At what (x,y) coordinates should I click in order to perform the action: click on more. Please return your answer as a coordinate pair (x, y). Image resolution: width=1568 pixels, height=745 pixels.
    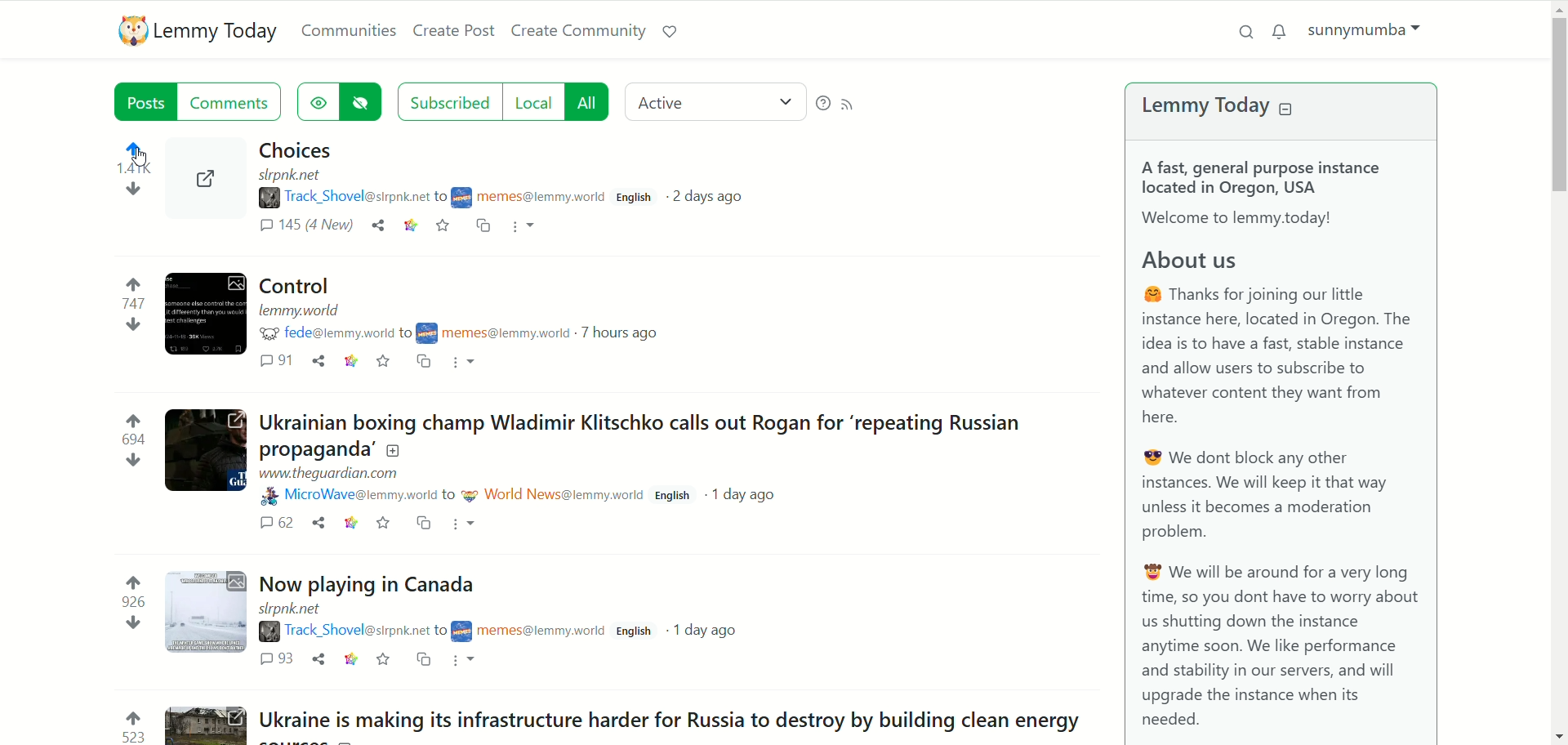
    Looking at the image, I should click on (470, 524).